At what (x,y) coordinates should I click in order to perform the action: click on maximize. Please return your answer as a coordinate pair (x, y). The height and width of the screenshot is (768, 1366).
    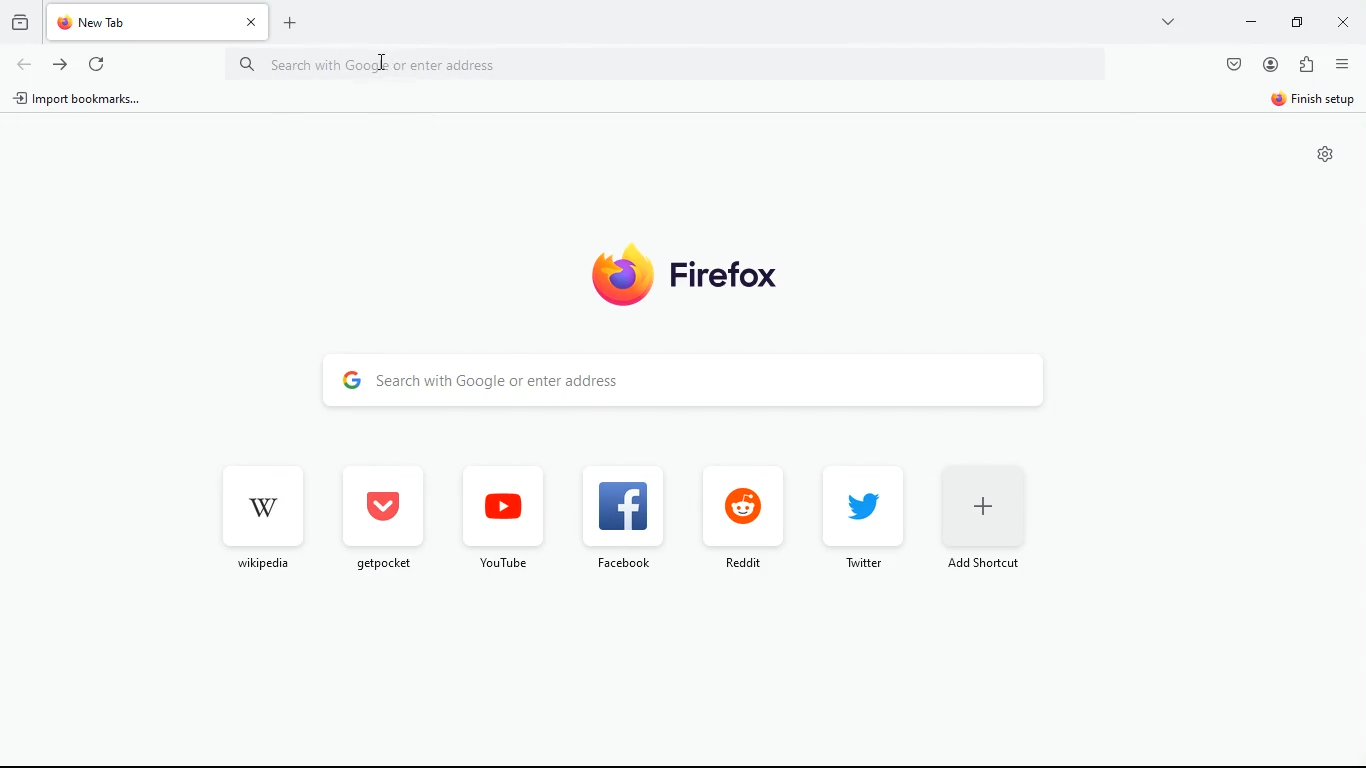
    Looking at the image, I should click on (1293, 23).